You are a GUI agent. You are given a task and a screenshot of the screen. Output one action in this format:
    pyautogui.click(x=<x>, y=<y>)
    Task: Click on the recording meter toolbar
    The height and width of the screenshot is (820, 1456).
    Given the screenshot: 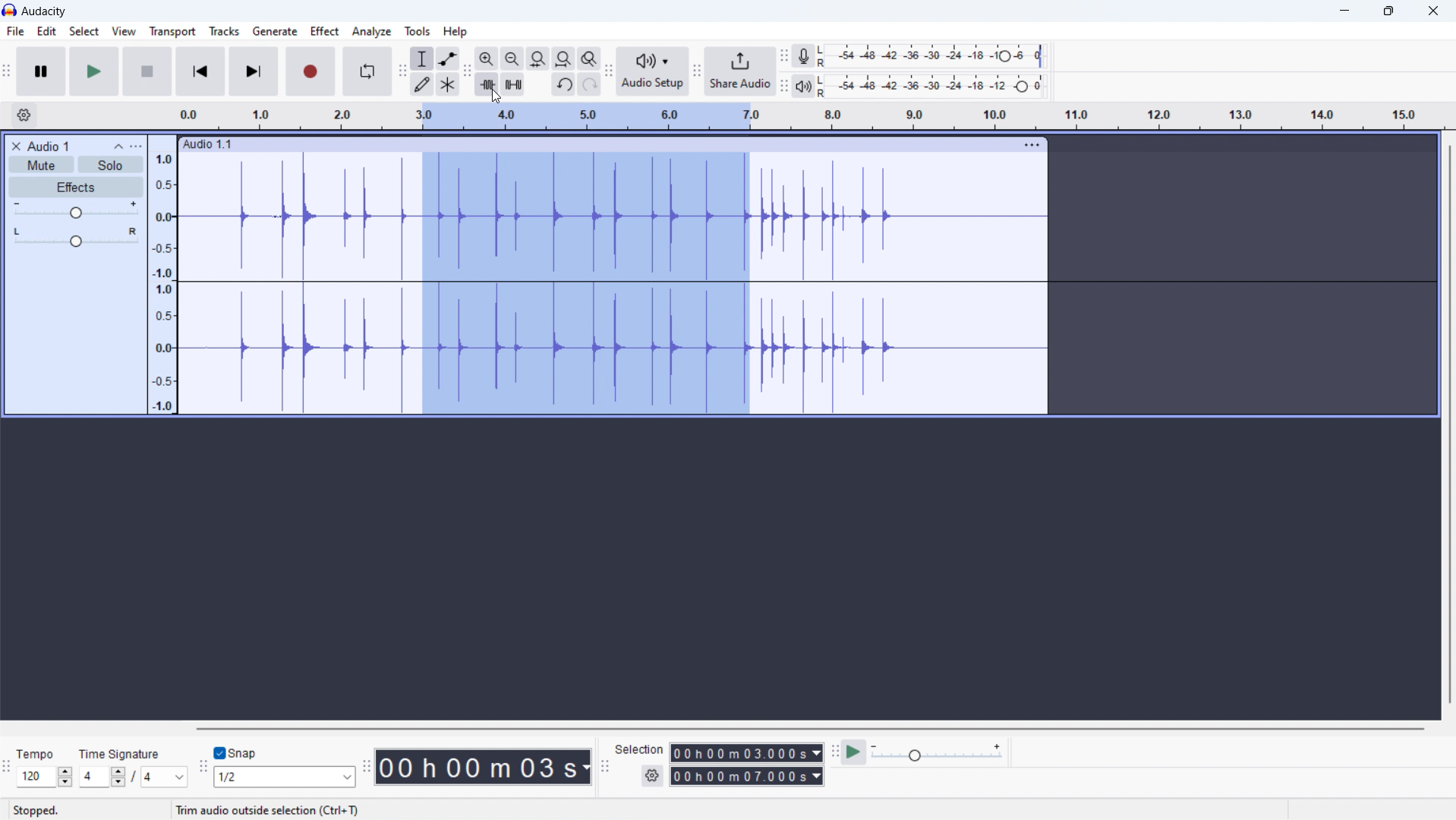 What is the action you would take?
    pyautogui.click(x=784, y=56)
    